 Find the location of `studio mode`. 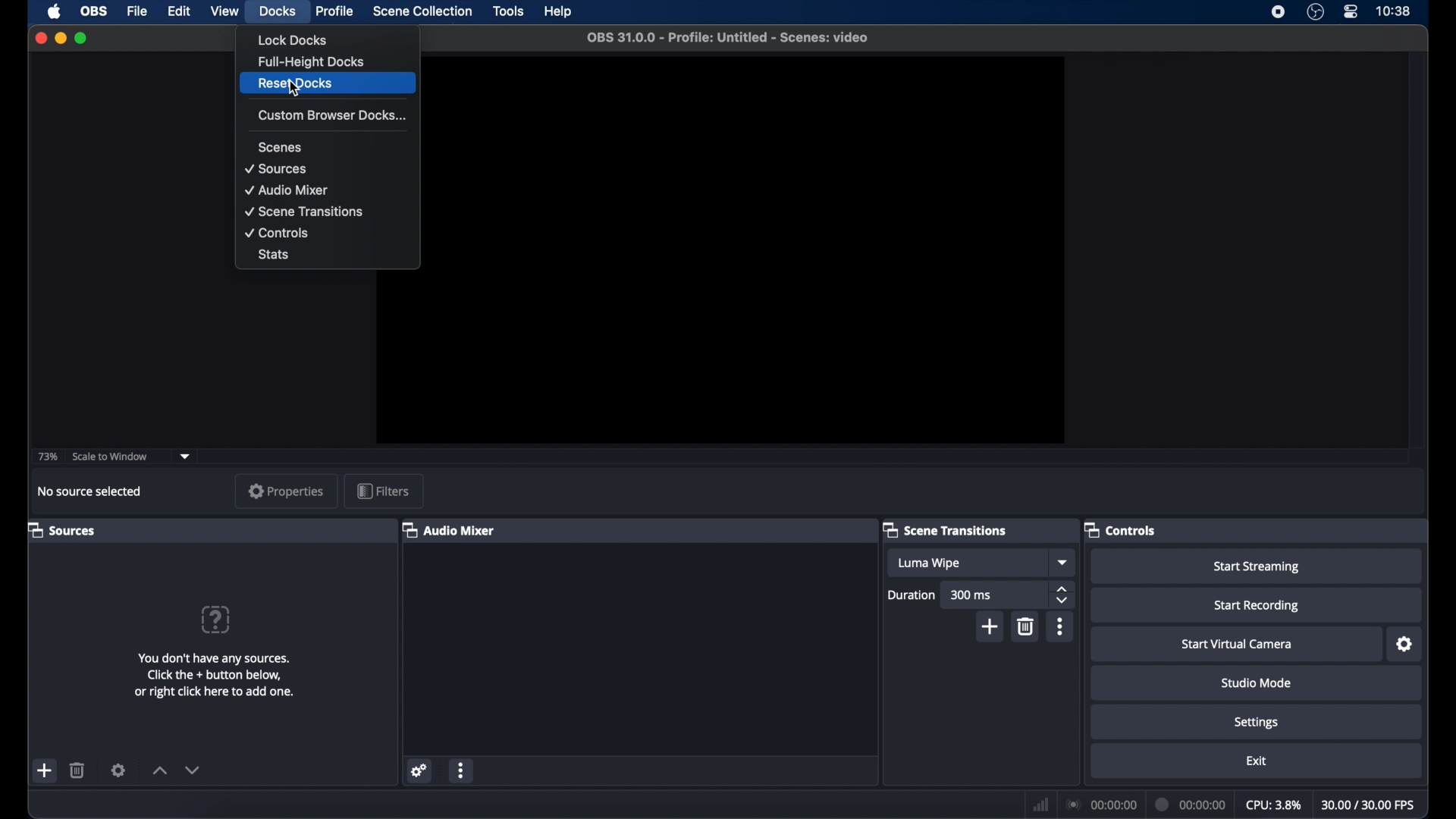

studio mode is located at coordinates (1256, 682).